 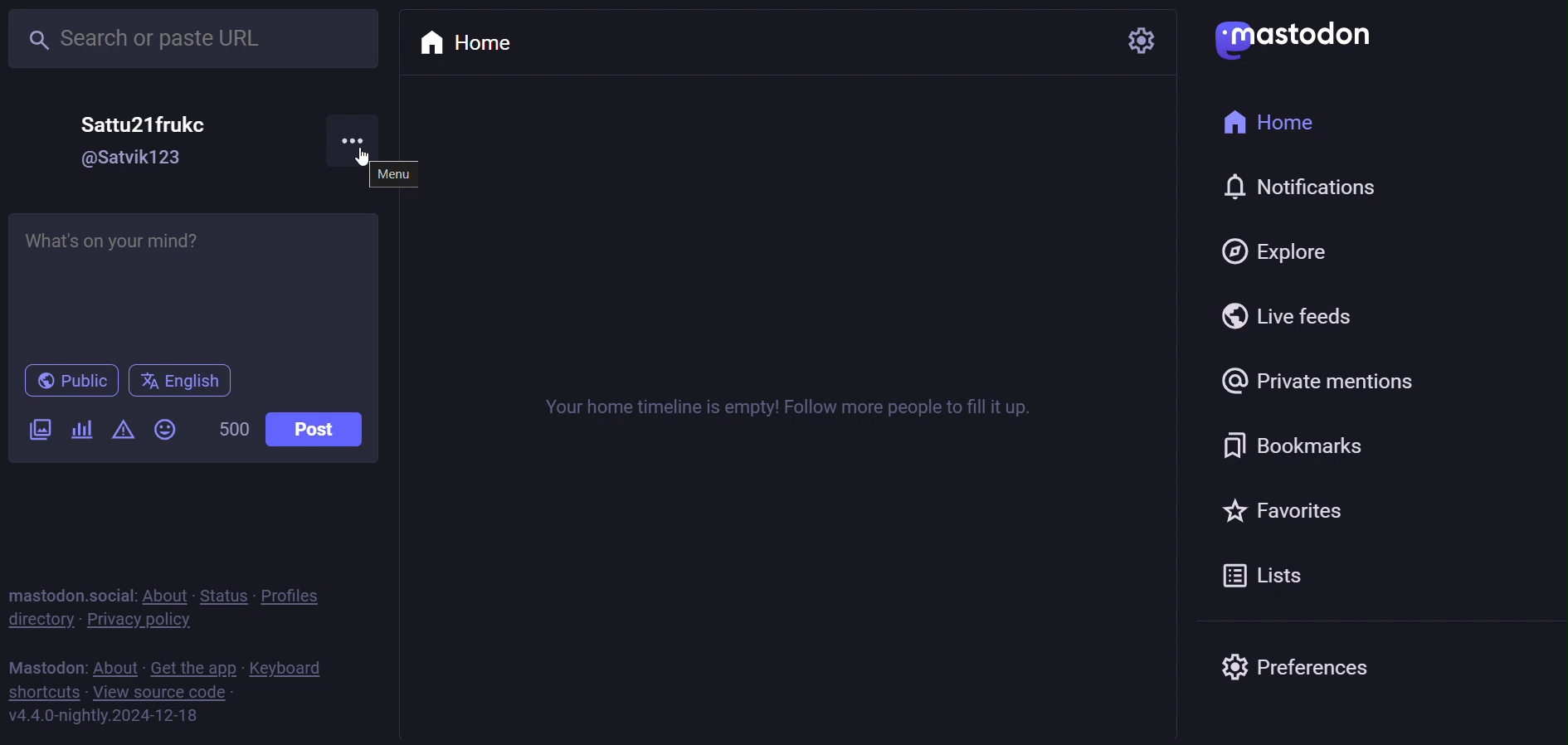 What do you see at coordinates (195, 665) in the screenshot?
I see `get the app` at bounding box center [195, 665].